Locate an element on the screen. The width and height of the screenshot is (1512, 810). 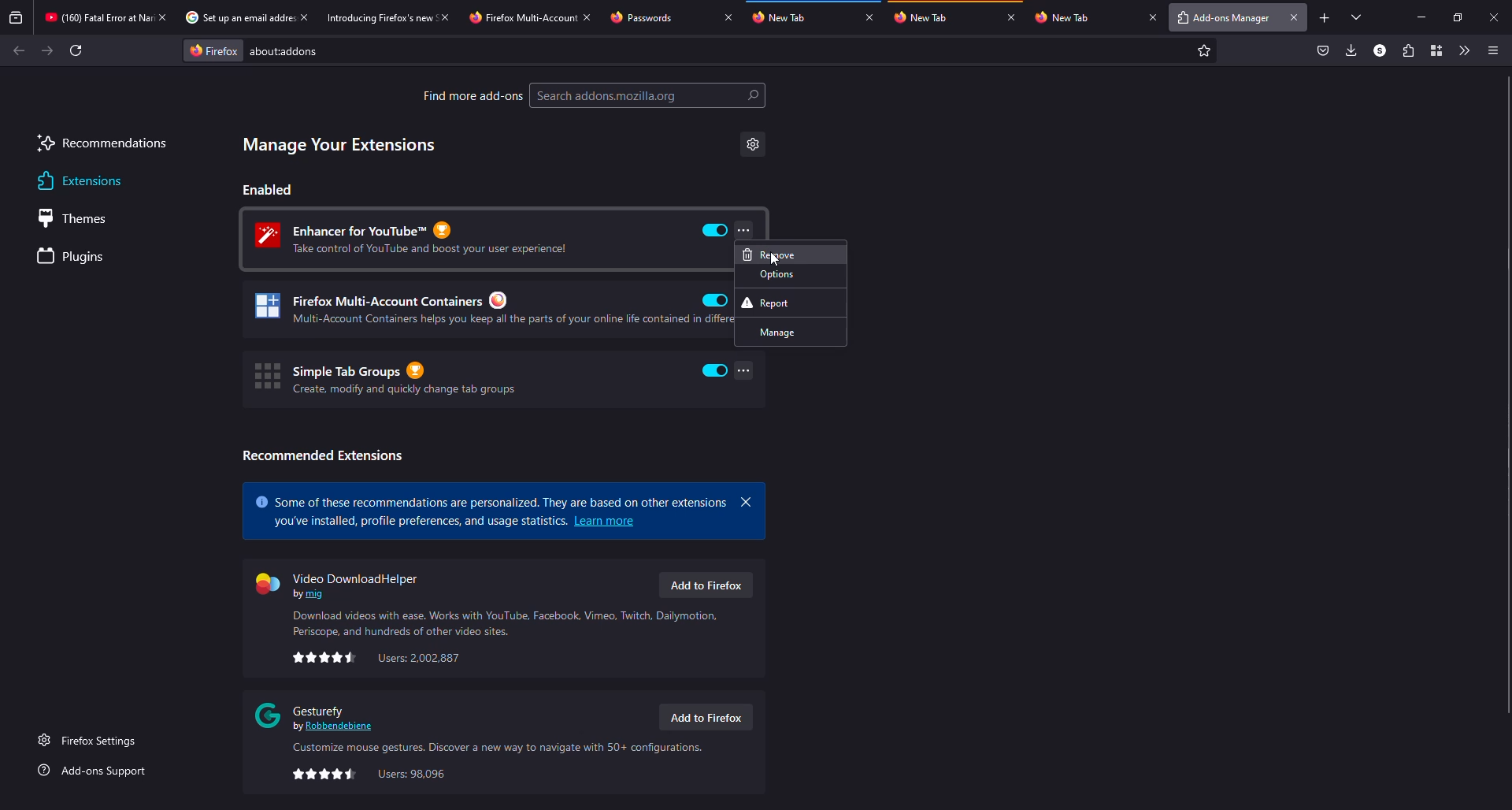
menu is located at coordinates (1492, 51).